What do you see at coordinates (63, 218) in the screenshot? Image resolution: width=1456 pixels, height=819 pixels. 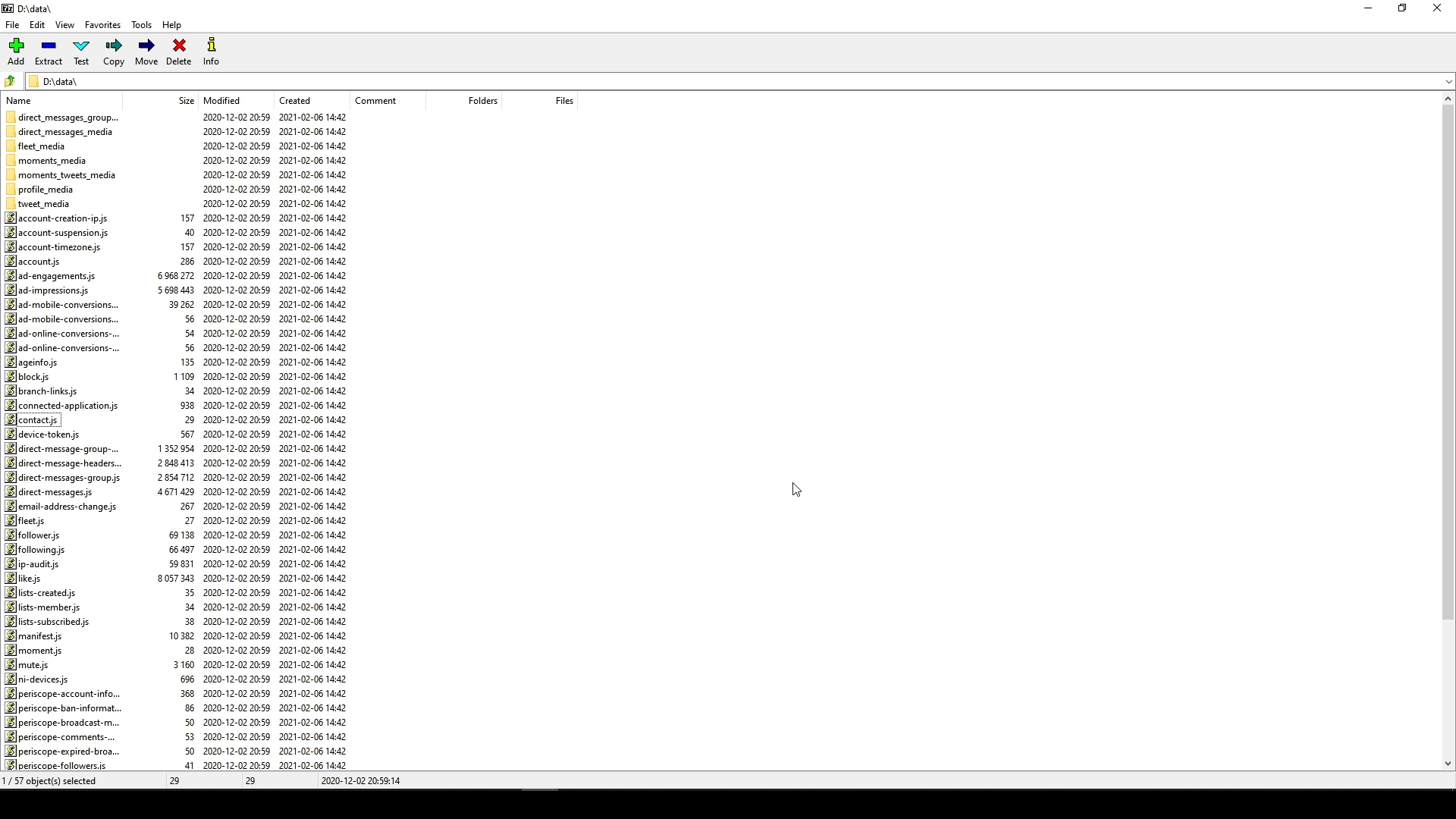 I see `account-creation-ip.js` at bounding box center [63, 218].